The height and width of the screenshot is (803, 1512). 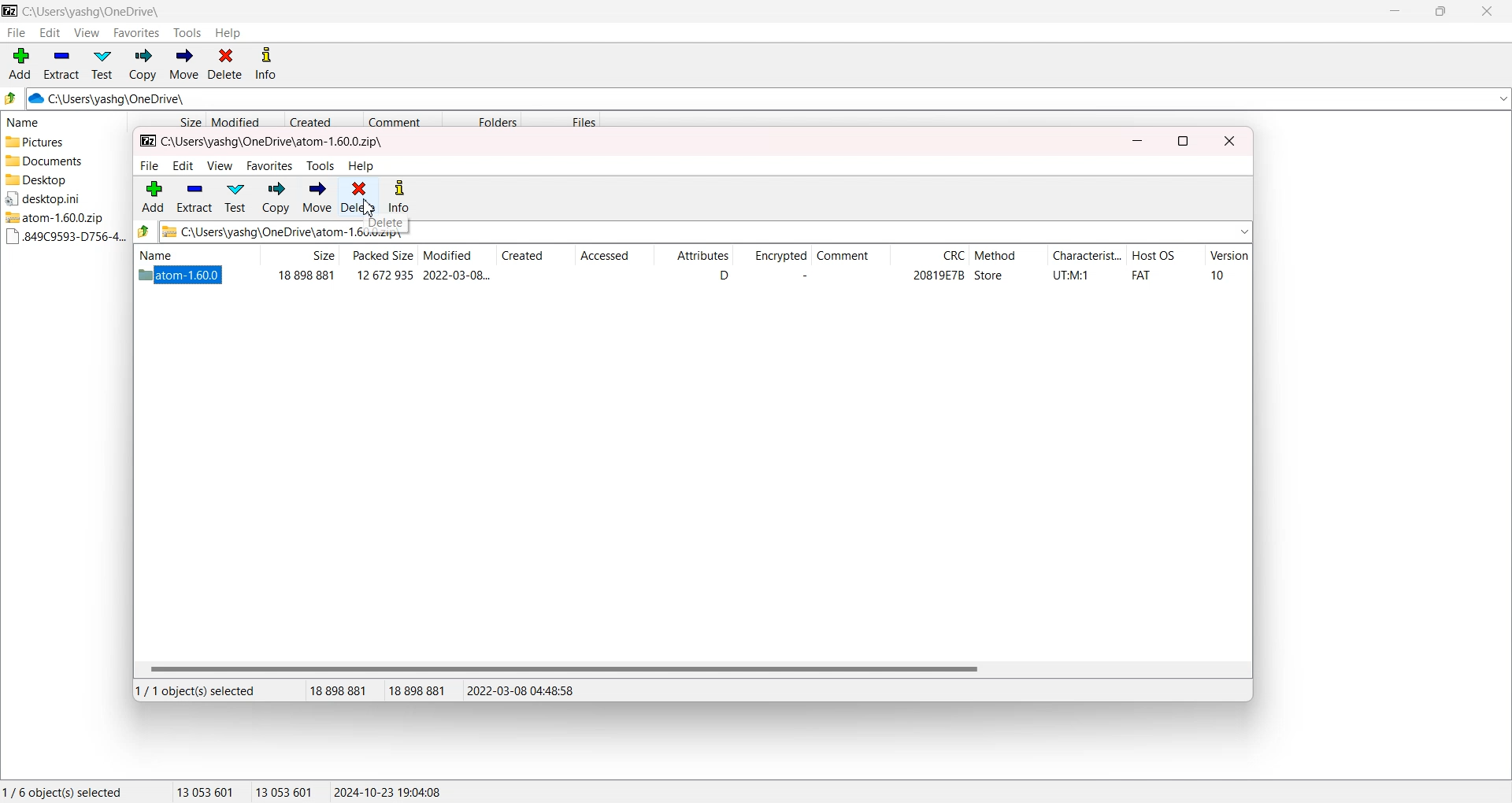 What do you see at coordinates (142, 65) in the screenshot?
I see `Copy` at bounding box center [142, 65].